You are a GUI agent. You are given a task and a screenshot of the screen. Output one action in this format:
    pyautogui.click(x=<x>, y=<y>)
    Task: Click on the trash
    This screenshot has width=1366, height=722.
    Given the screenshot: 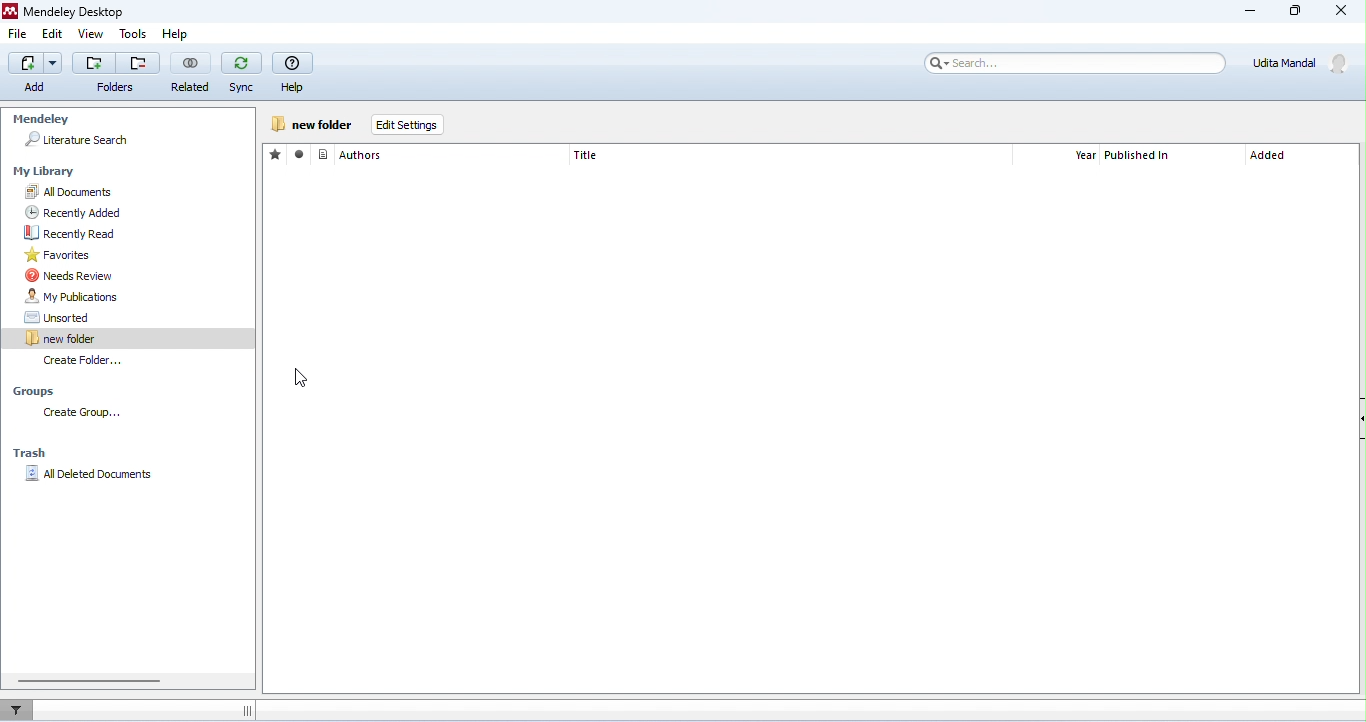 What is the action you would take?
    pyautogui.click(x=30, y=452)
    